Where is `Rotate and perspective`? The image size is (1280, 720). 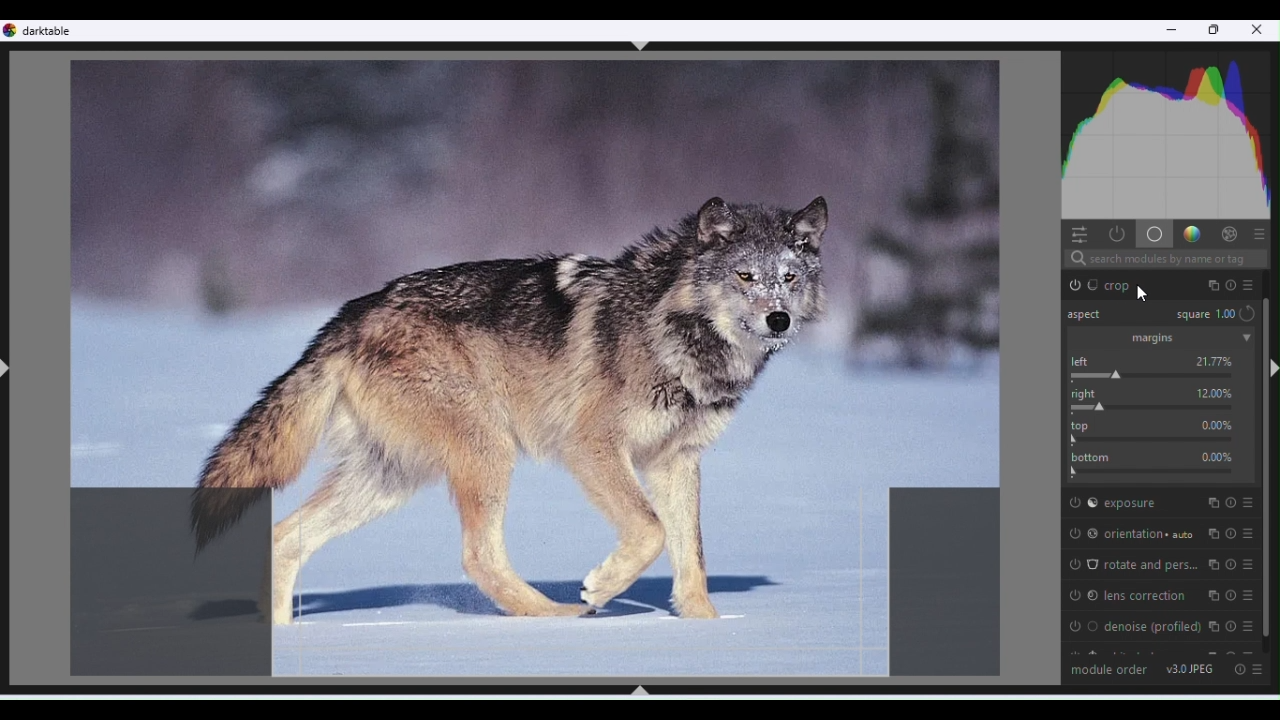 Rotate and perspective is located at coordinates (1161, 565).